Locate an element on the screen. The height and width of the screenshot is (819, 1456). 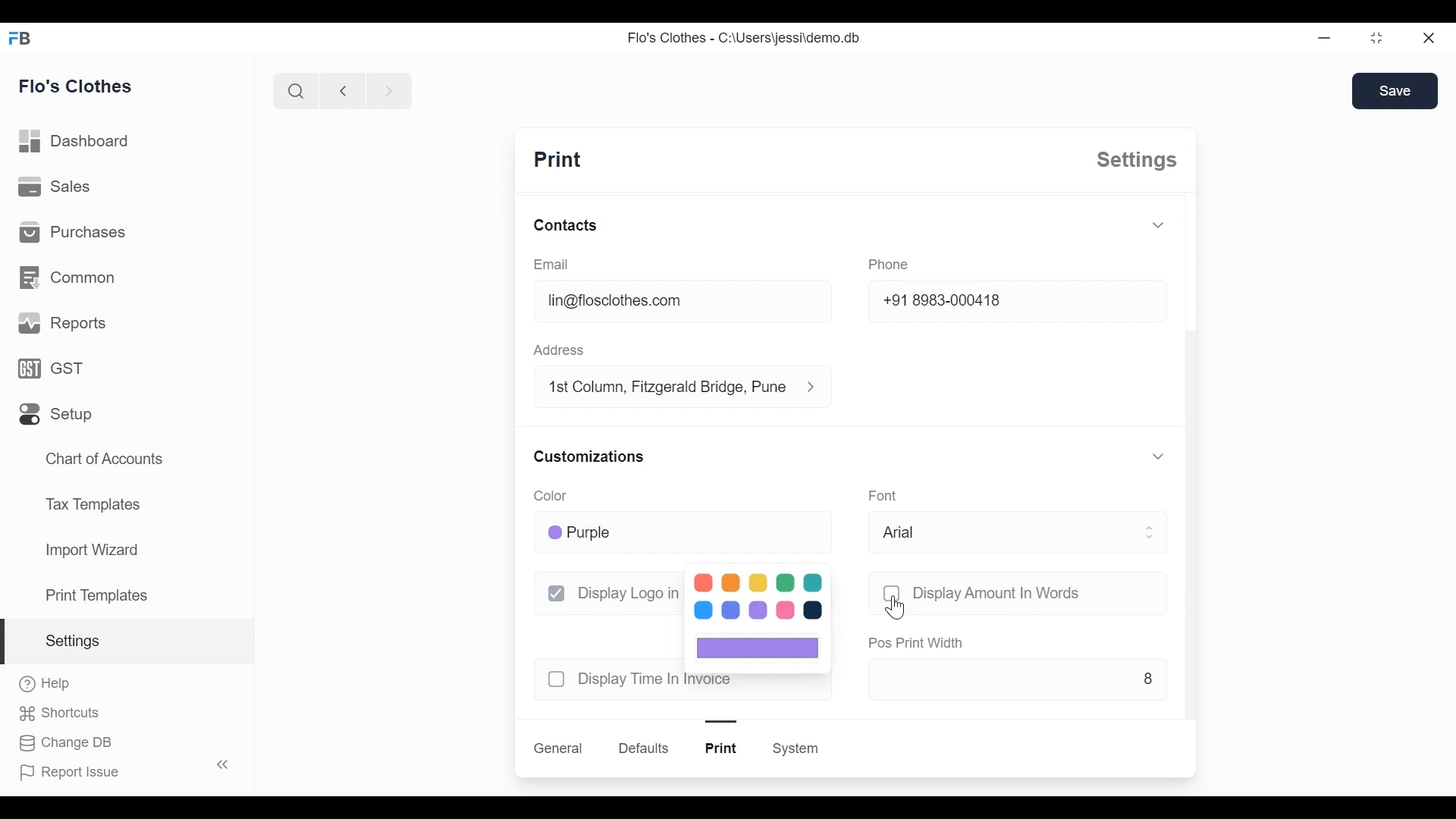
+91 8983-000418 is located at coordinates (1018, 300).